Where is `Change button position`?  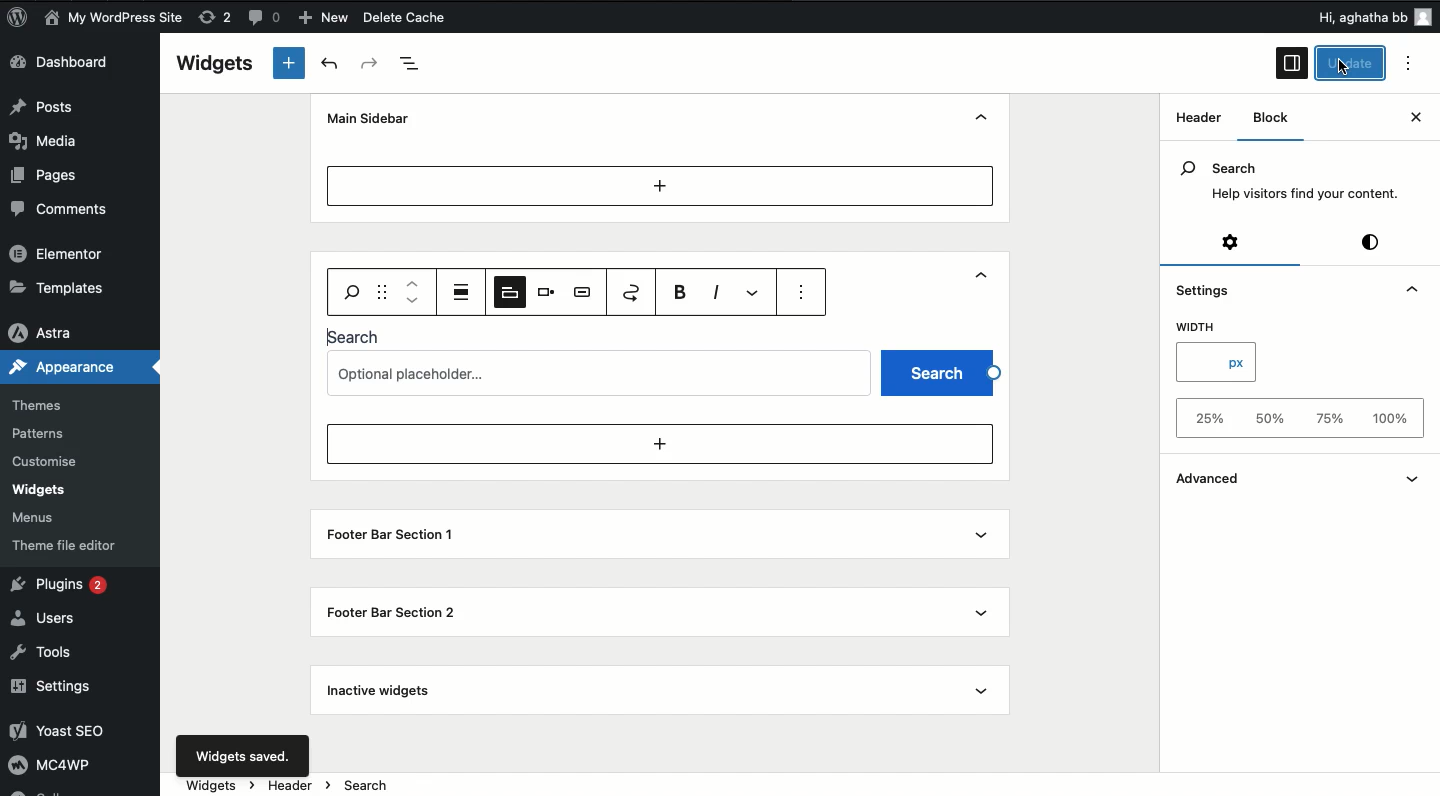
Change button position is located at coordinates (547, 291).